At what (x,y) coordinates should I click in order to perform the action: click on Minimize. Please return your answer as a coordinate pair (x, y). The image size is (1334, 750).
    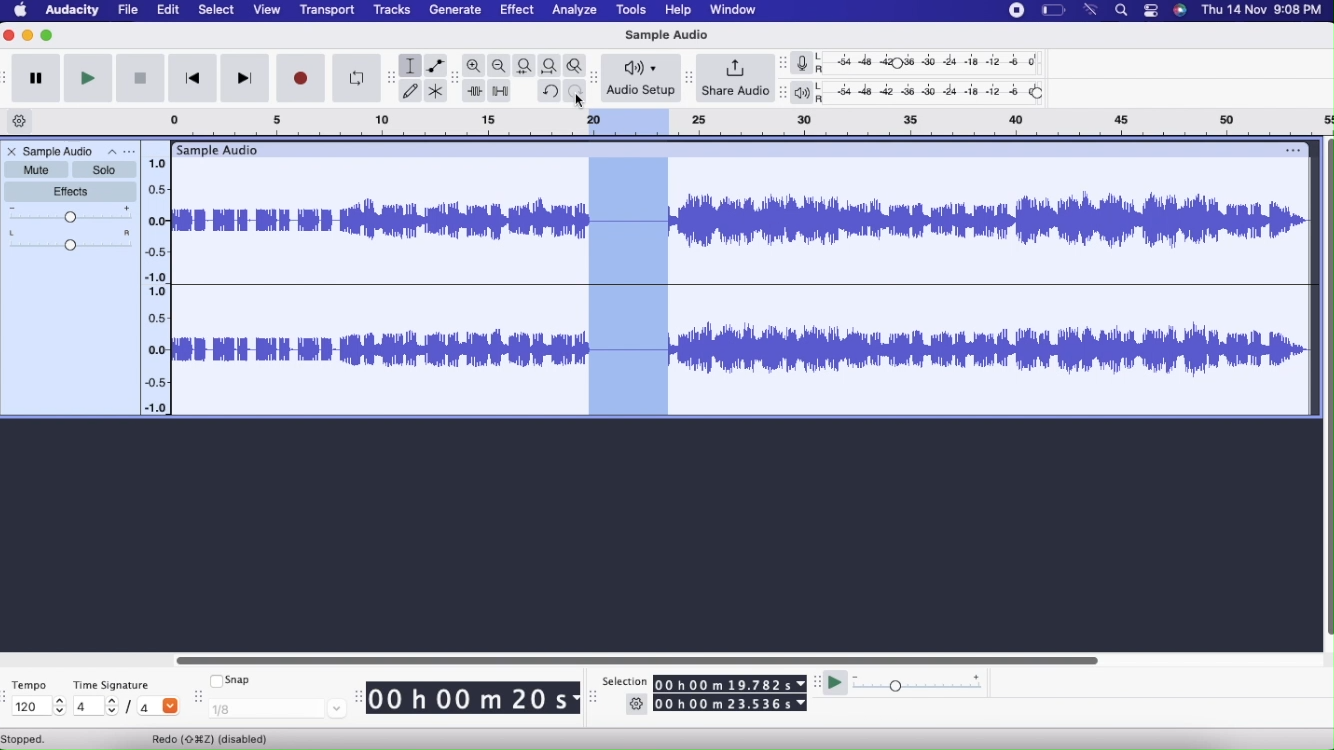
    Looking at the image, I should click on (27, 35).